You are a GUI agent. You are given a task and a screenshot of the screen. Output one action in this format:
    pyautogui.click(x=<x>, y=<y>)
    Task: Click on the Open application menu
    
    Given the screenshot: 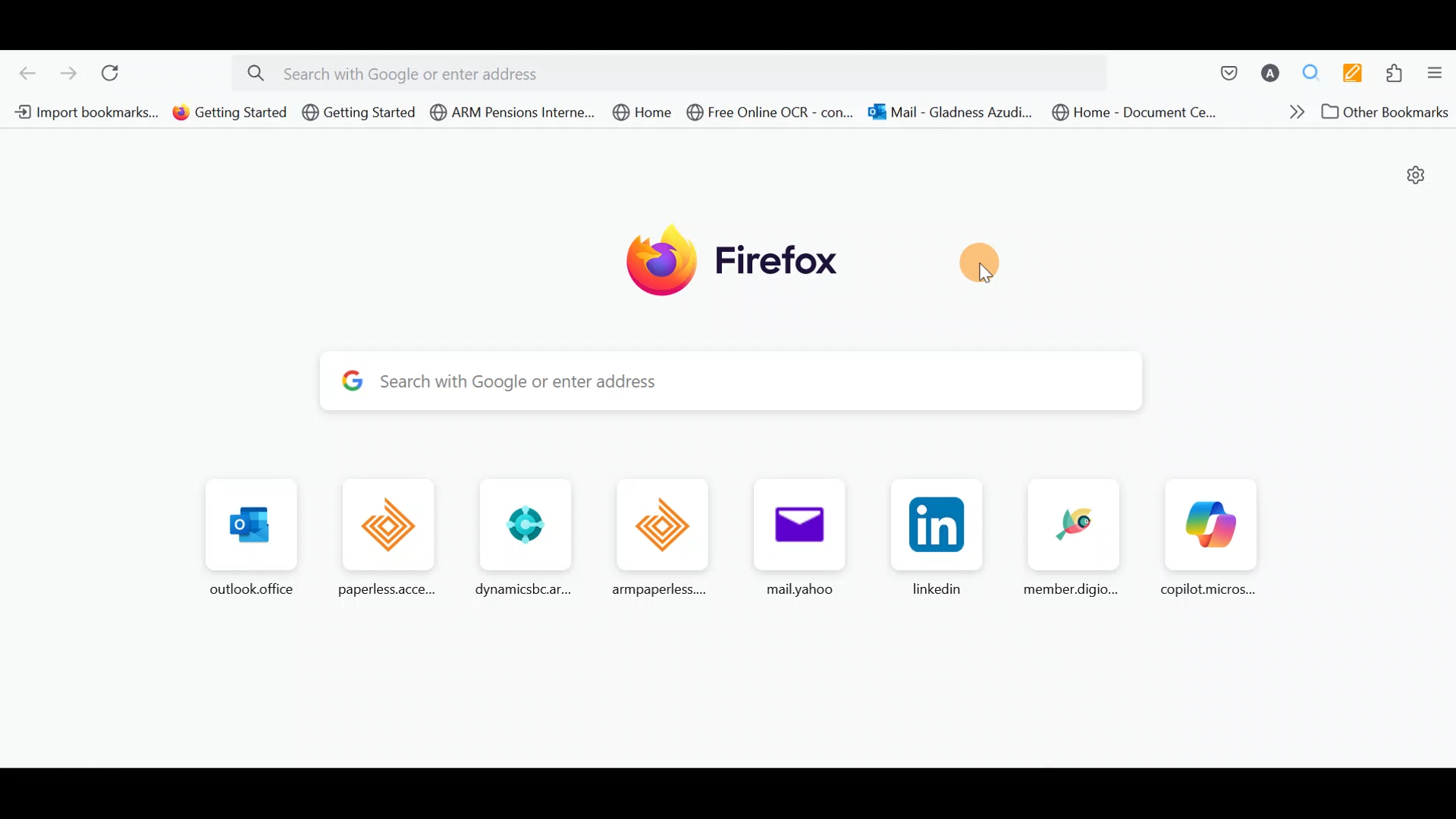 What is the action you would take?
    pyautogui.click(x=1437, y=69)
    